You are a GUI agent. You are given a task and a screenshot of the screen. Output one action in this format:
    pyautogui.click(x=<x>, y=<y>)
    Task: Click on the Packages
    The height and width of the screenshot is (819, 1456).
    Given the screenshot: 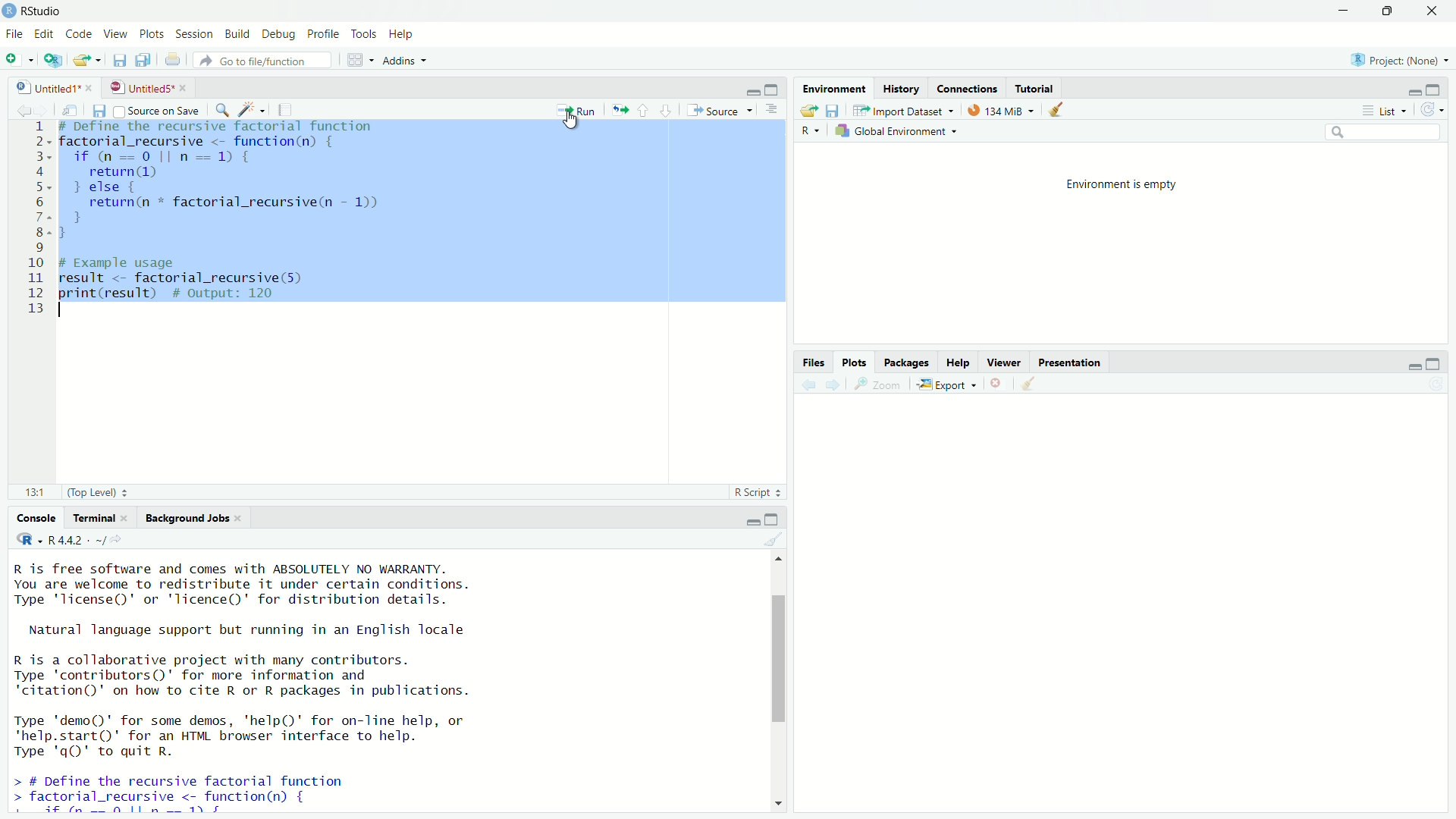 What is the action you would take?
    pyautogui.click(x=909, y=360)
    